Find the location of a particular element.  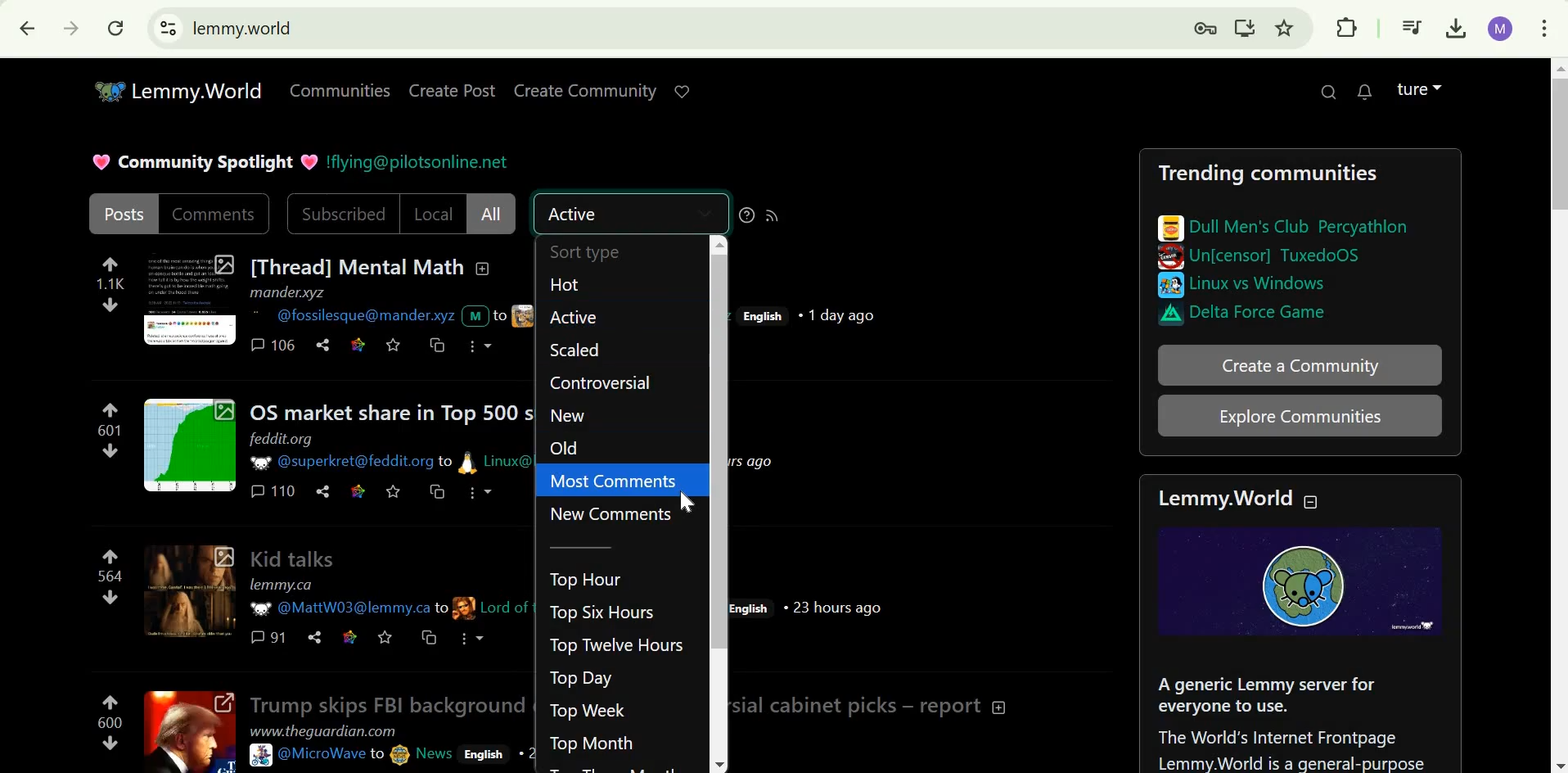

@superkret@feddit.org to is located at coordinates (363, 463).